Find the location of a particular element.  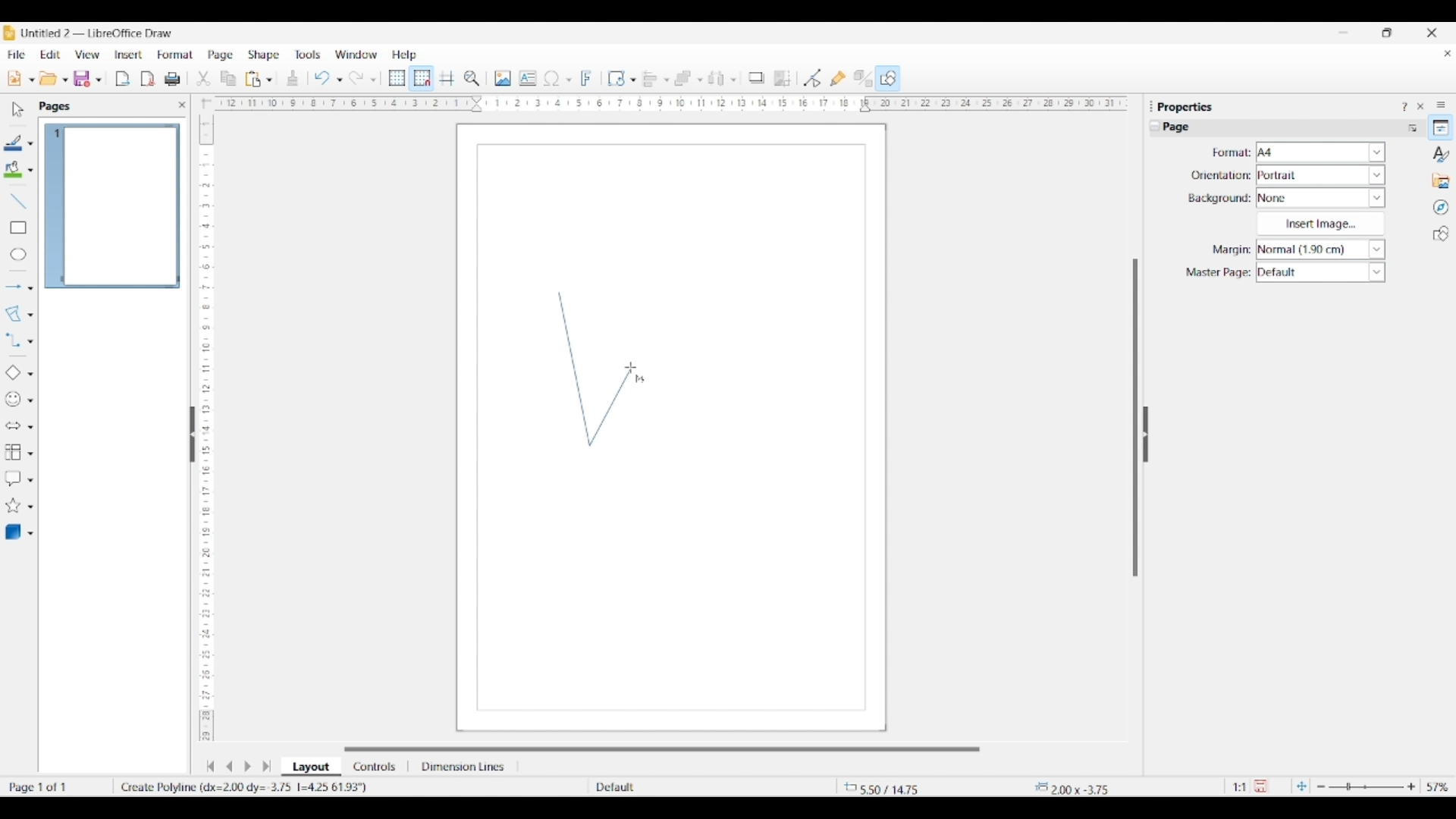

Zoom and pan is located at coordinates (472, 79).